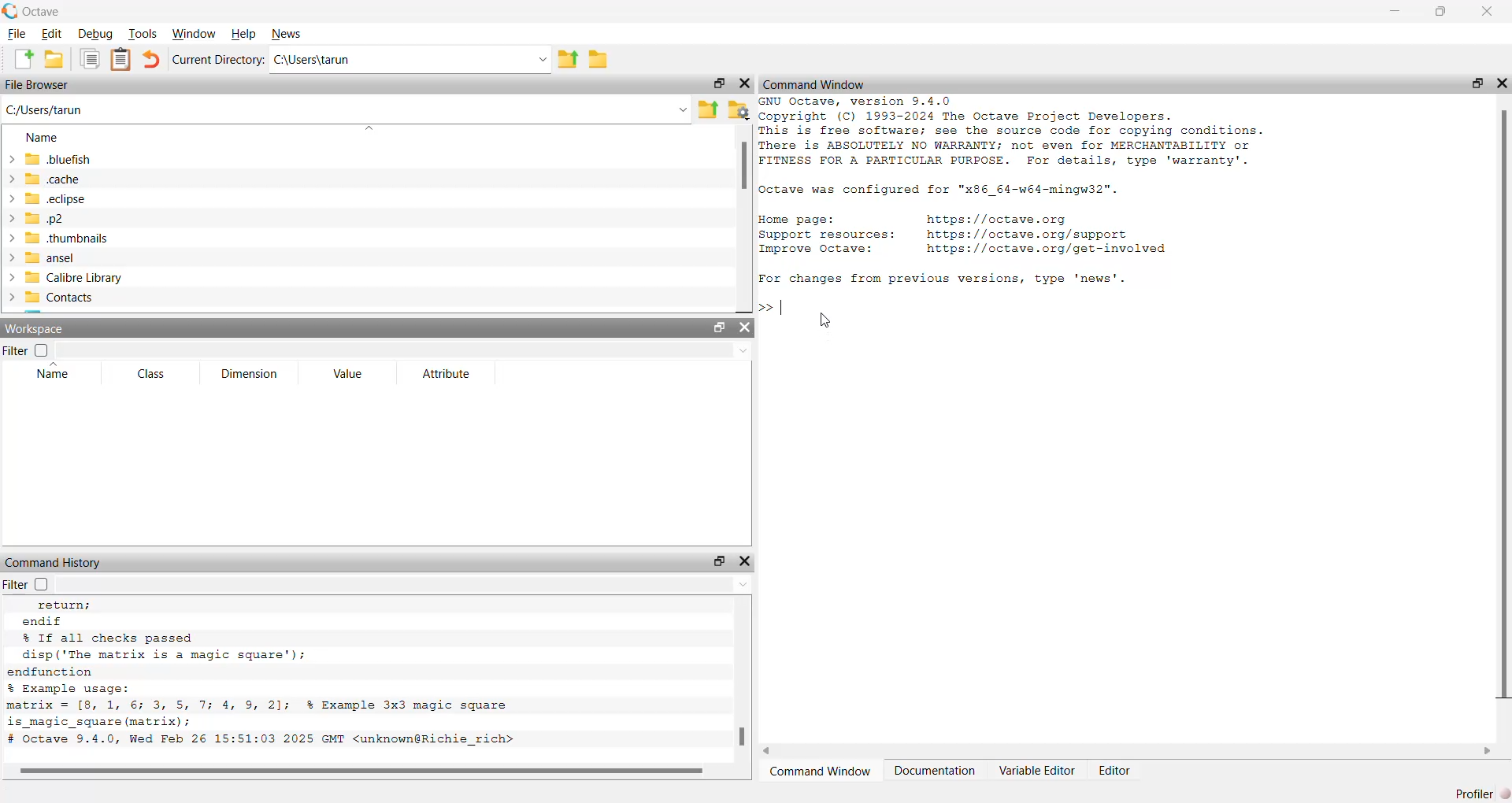  I want to click on .p2, so click(35, 219).